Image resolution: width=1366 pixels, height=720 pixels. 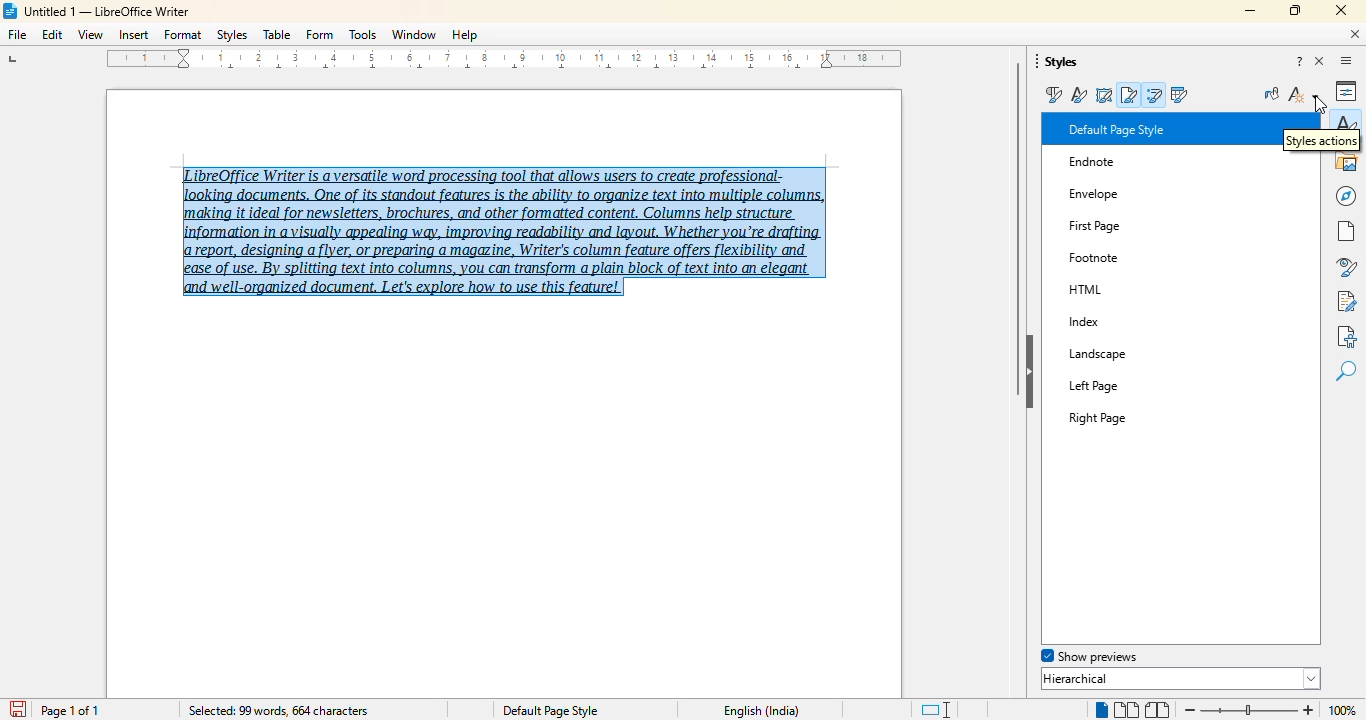 What do you see at coordinates (1307, 710) in the screenshot?
I see `zoom in` at bounding box center [1307, 710].